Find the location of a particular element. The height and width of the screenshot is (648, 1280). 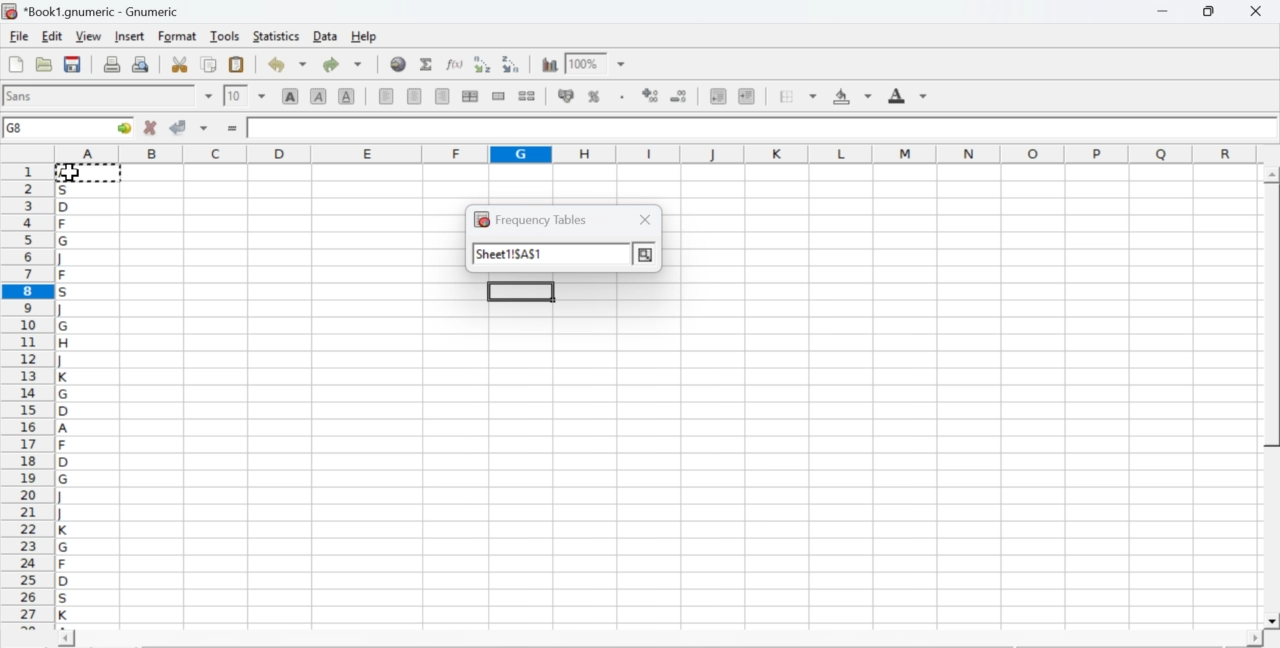

center horizontally is located at coordinates (470, 96).